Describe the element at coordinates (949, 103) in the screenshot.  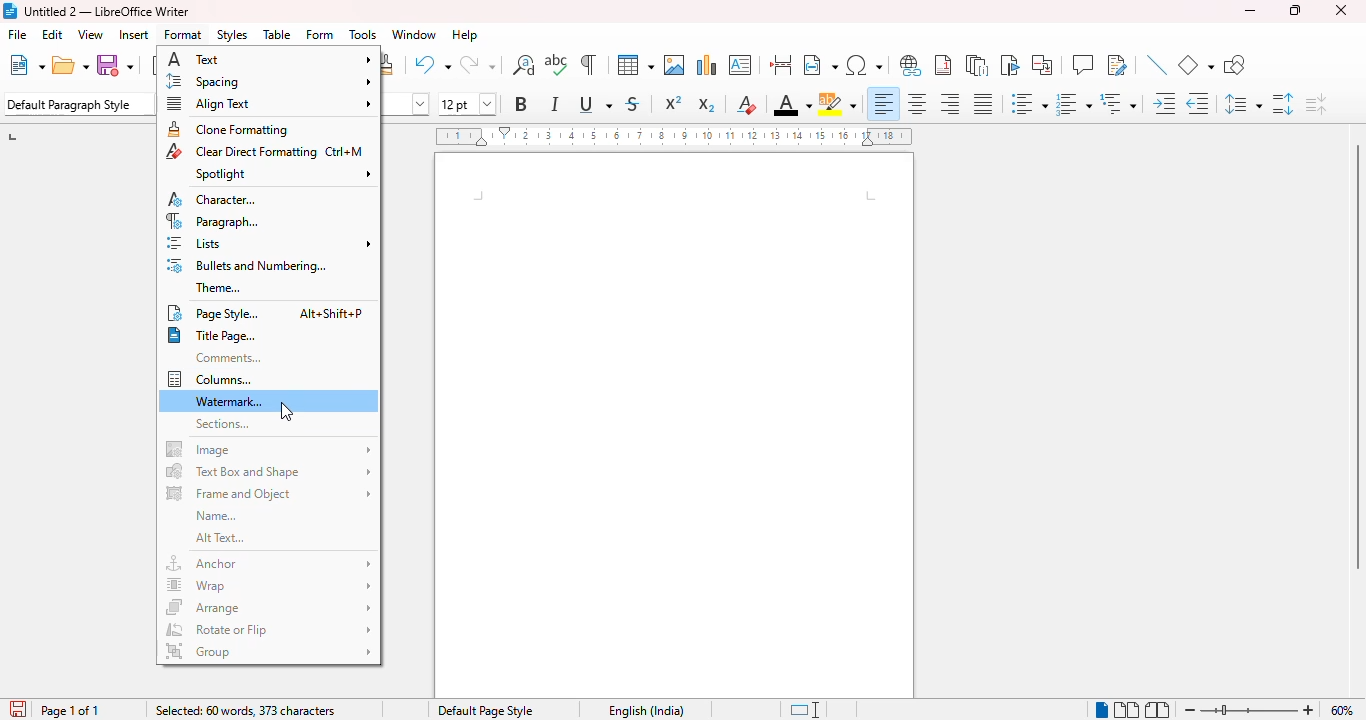
I see `align right` at that location.